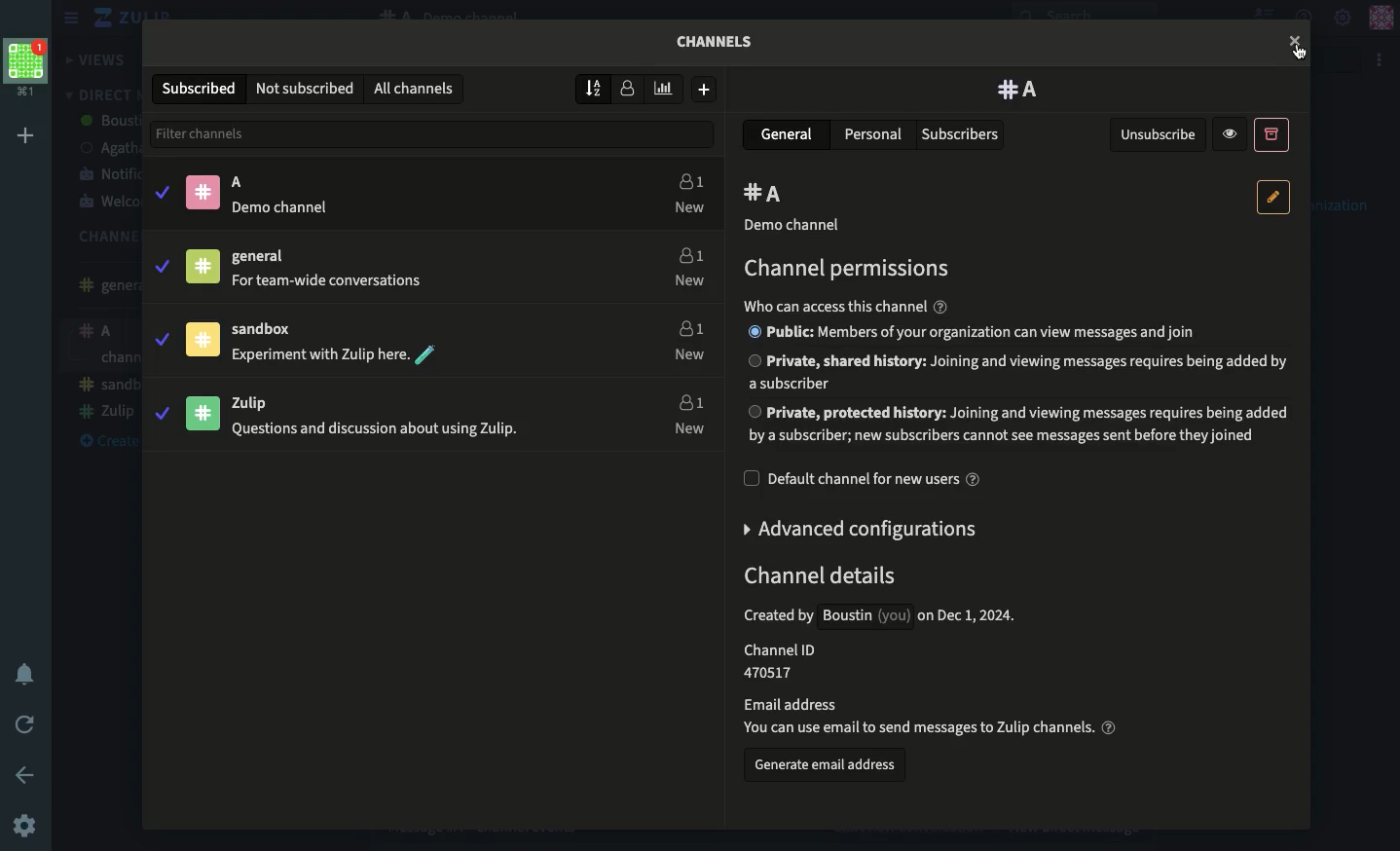 The image size is (1400, 851). What do you see at coordinates (68, 18) in the screenshot?
I see `Hide menu` at bounding box center [68, 18].